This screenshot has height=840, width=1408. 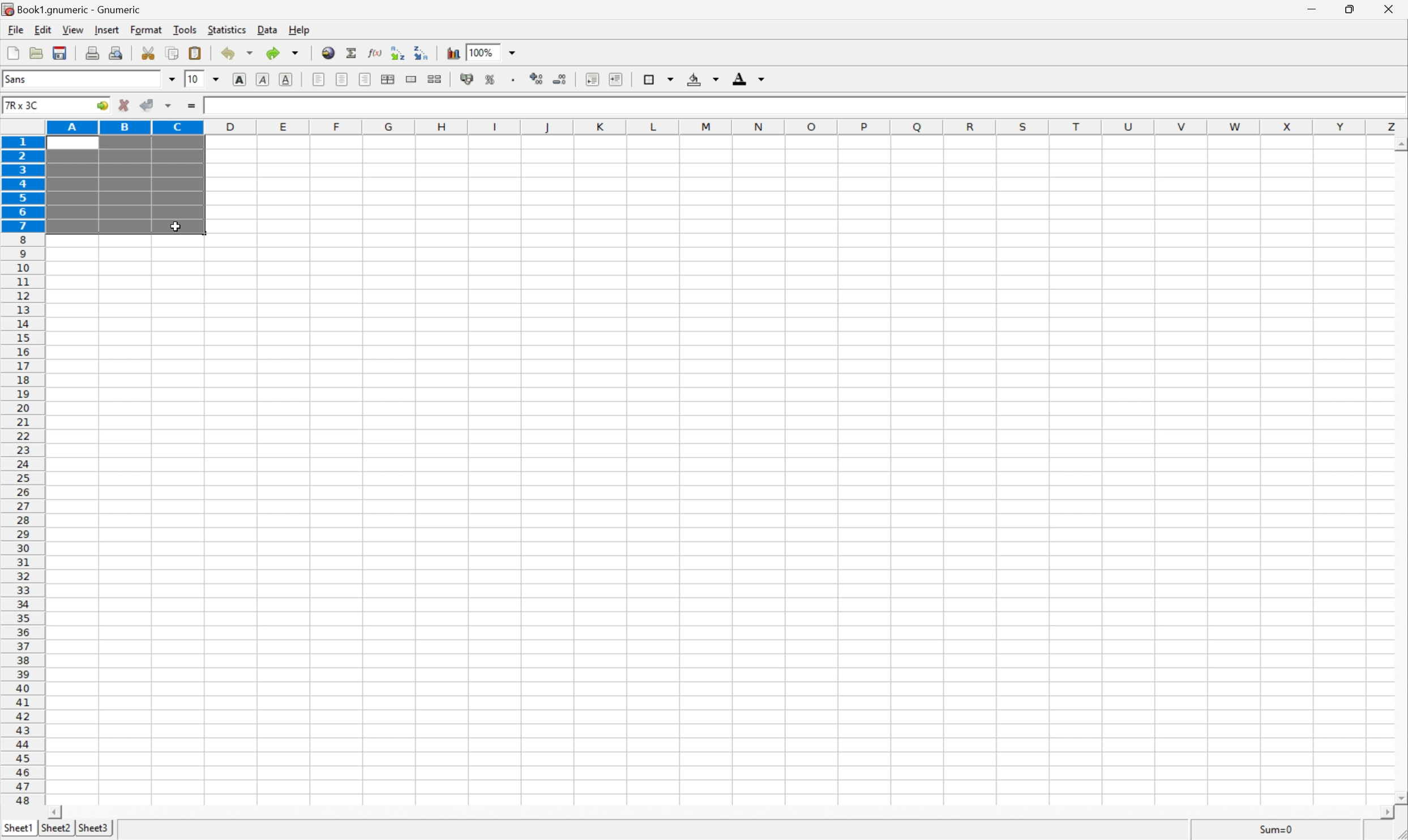 What do you see at coordinates (93, 830) in the screenshot?
I see `sheet3` at bounding box center [93, 830].